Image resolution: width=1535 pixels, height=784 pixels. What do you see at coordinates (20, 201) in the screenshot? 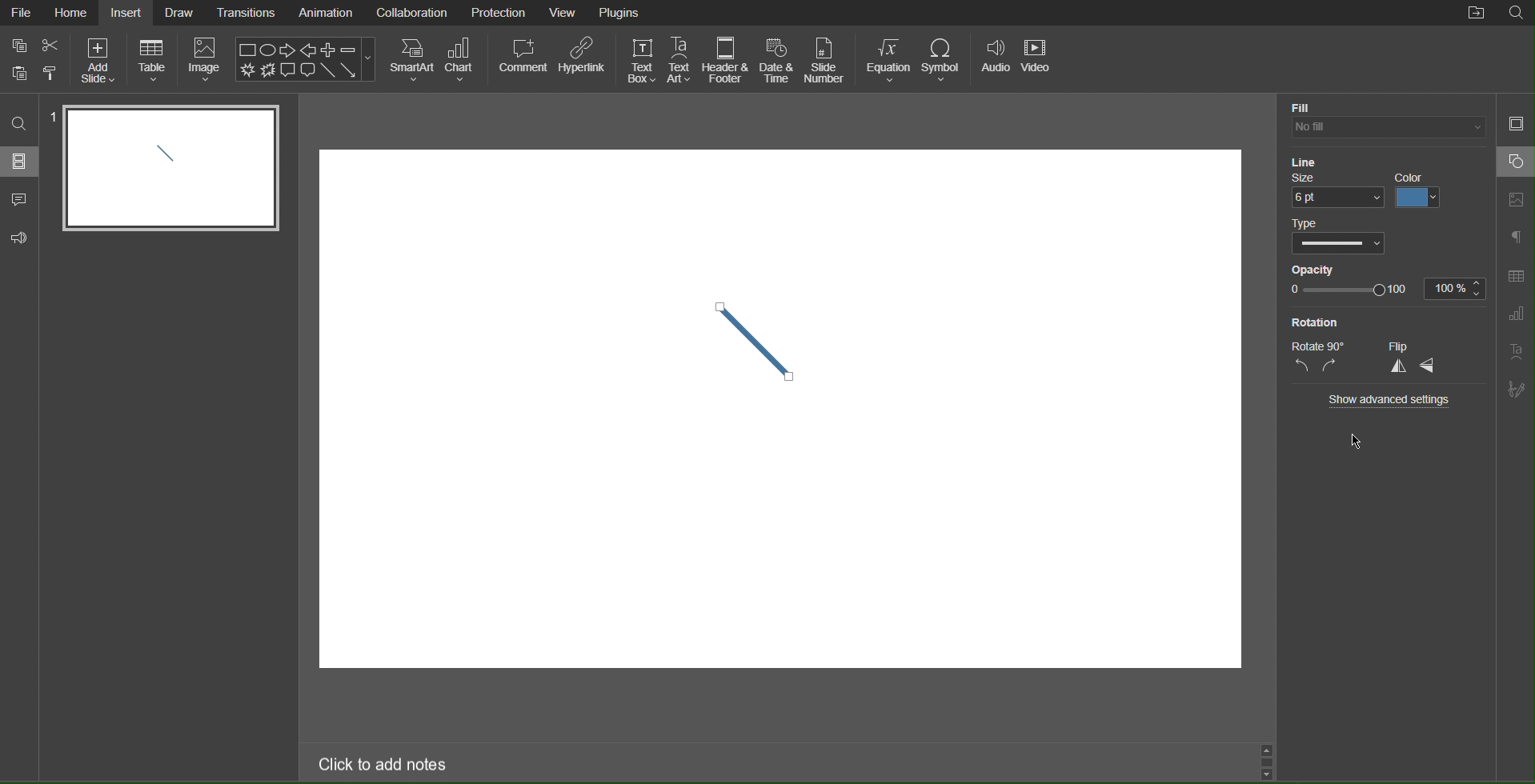
I see `Comment` at bounding box center [20, 201].